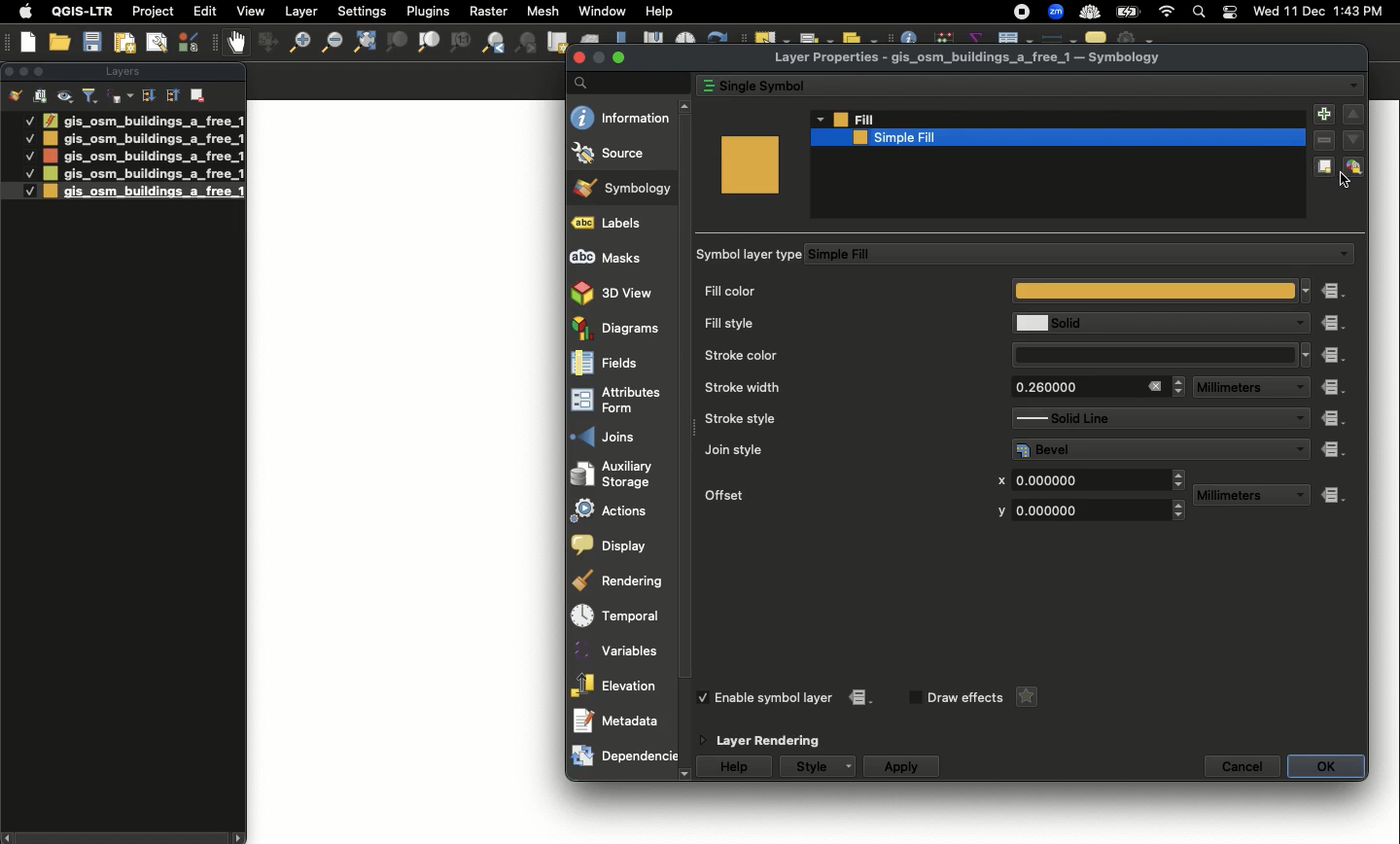 The image size is (1400, 844). Describe the element at coordinates (124, 43) in the screenshot. I see `New printout layer ` at that location.